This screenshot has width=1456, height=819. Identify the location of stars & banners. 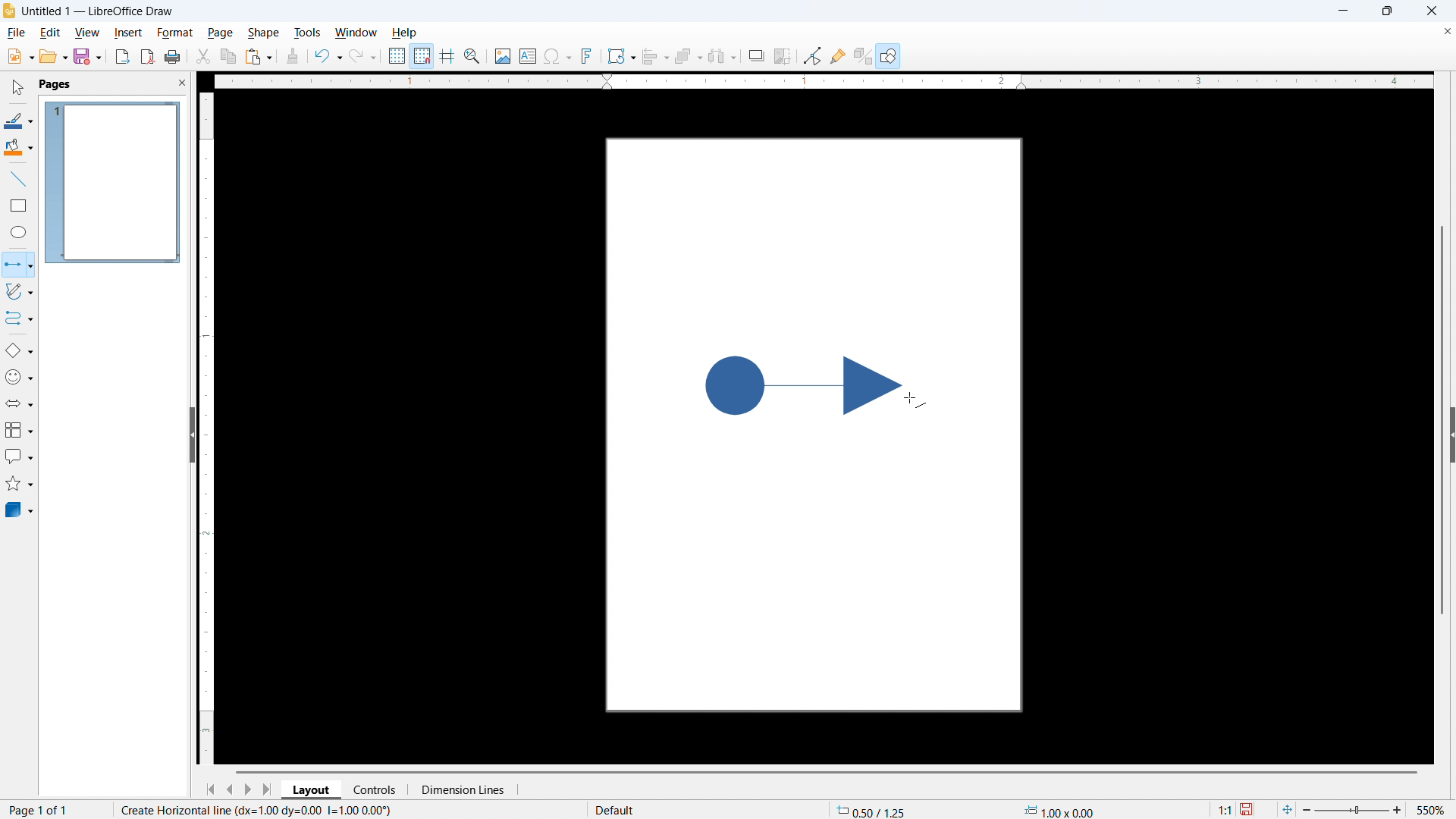
(19, 483).